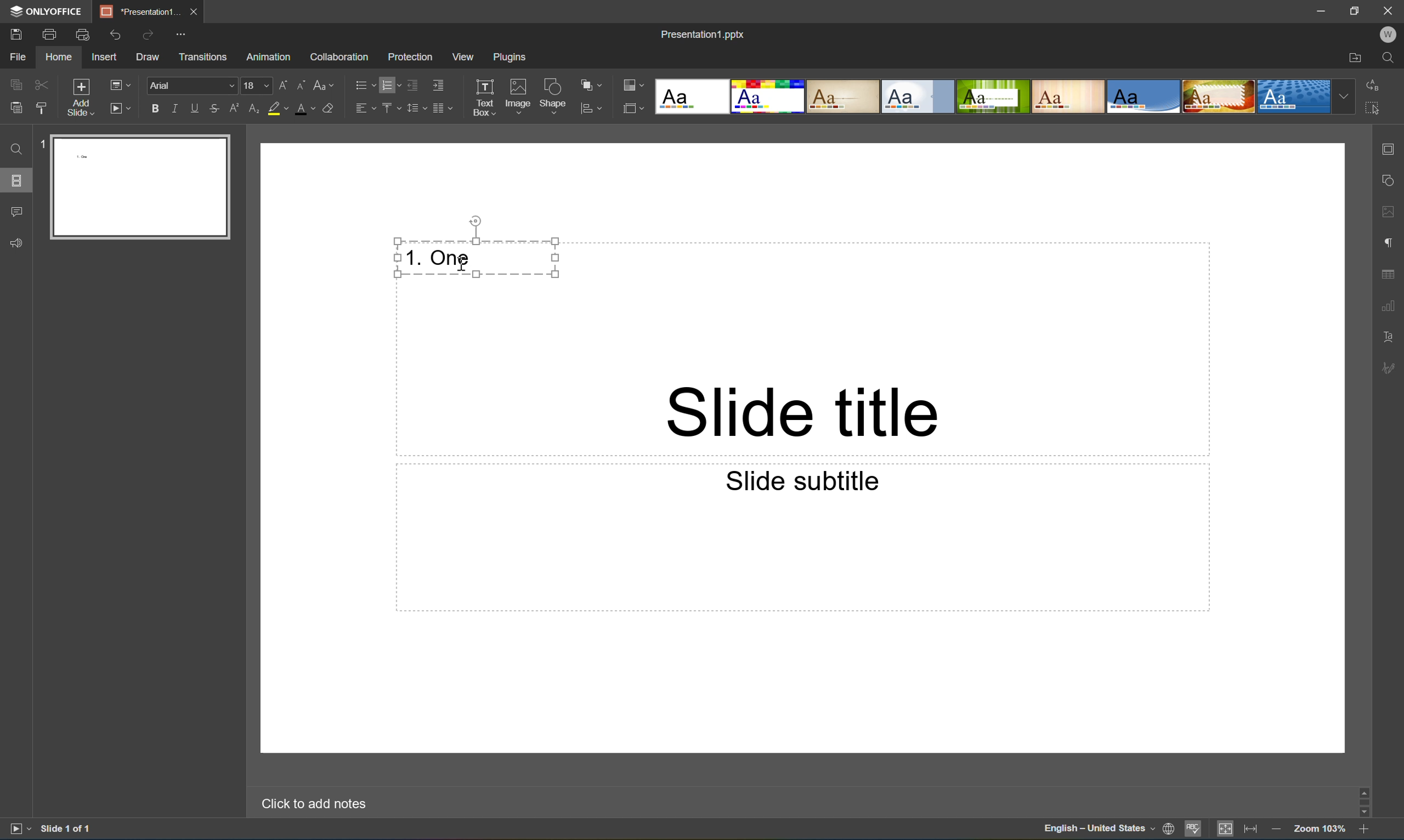 Image resolution: width=1404 pixels, height=840 pixels. Describe the element at coordinates (483, 97) in the screenshot. I see `Text box` at that location.